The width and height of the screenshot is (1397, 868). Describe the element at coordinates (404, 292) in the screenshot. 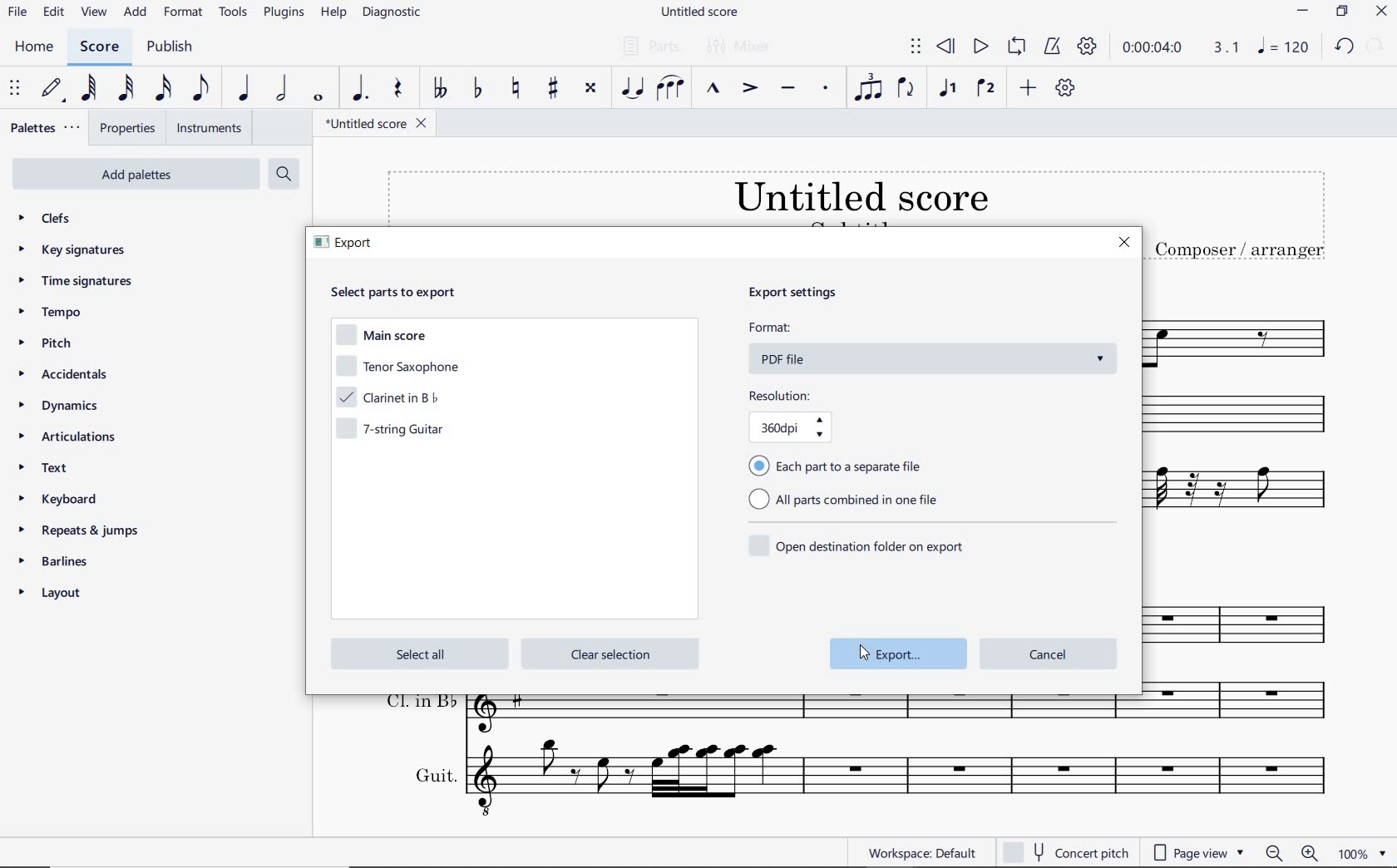

I see `select parts to export` at that location.